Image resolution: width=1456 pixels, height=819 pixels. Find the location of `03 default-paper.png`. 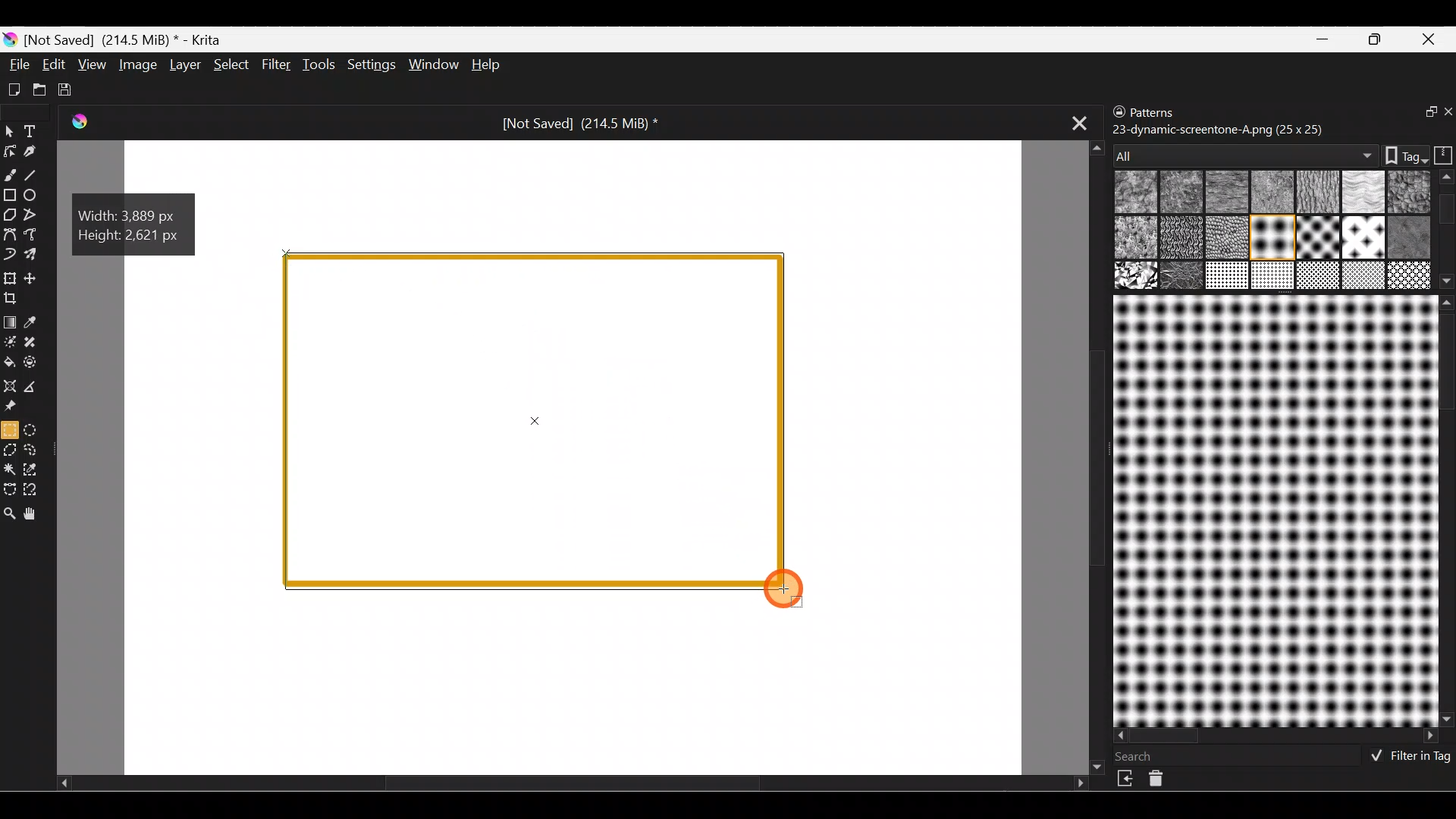

03 default-paper.png is located at coordinates (1269, 193).